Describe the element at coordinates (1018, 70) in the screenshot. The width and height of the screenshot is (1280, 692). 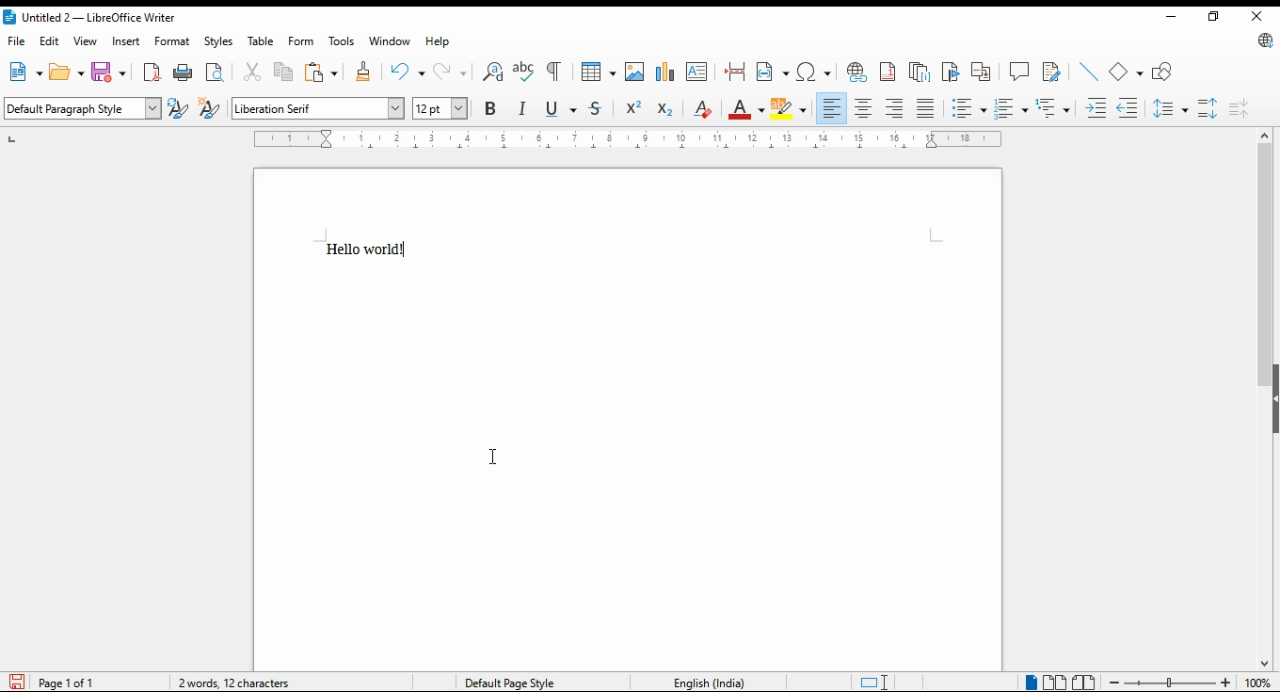
I see `insert comment` at that location.